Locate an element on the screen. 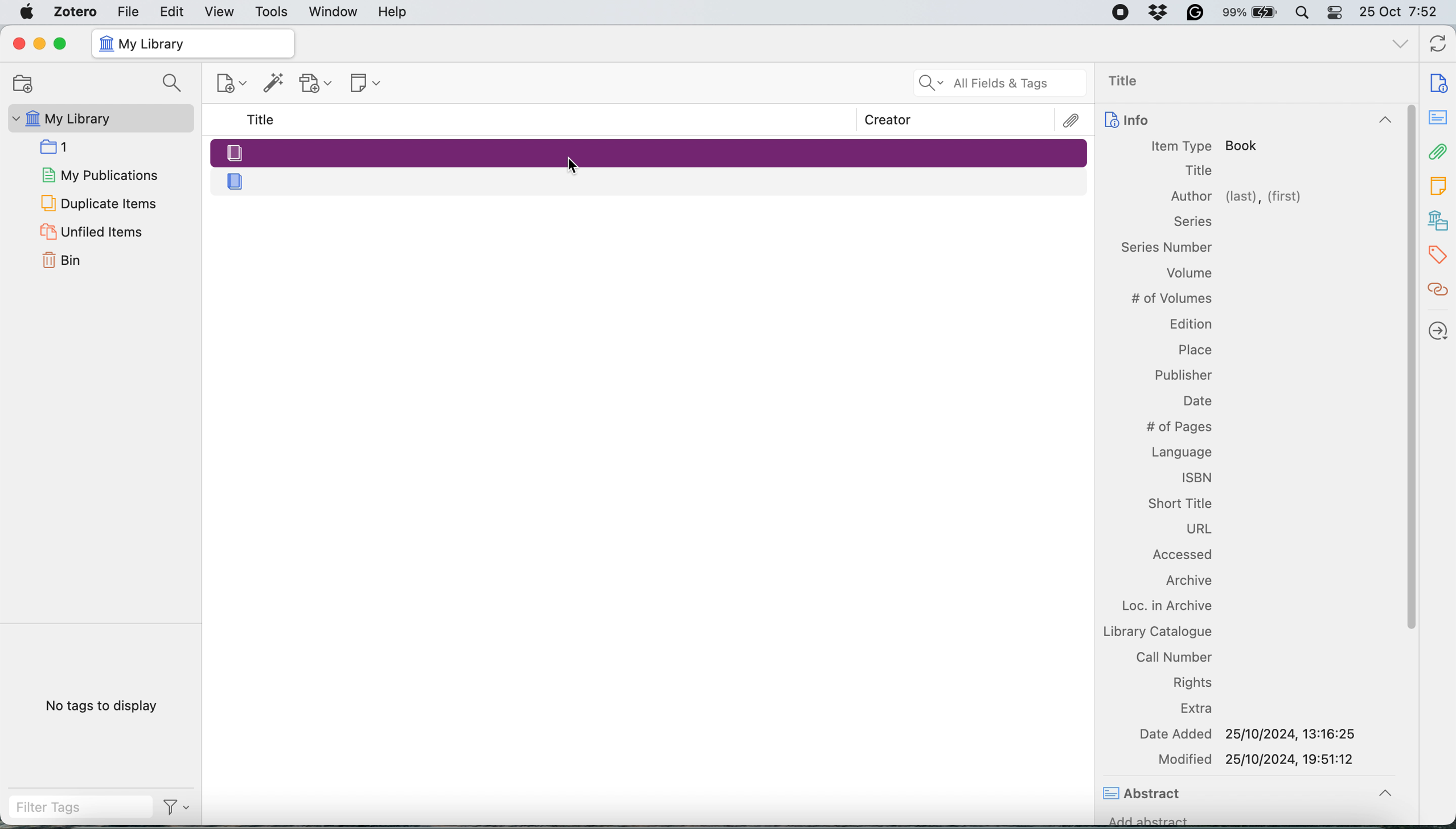  My Library is located at coordinates (192, 44).